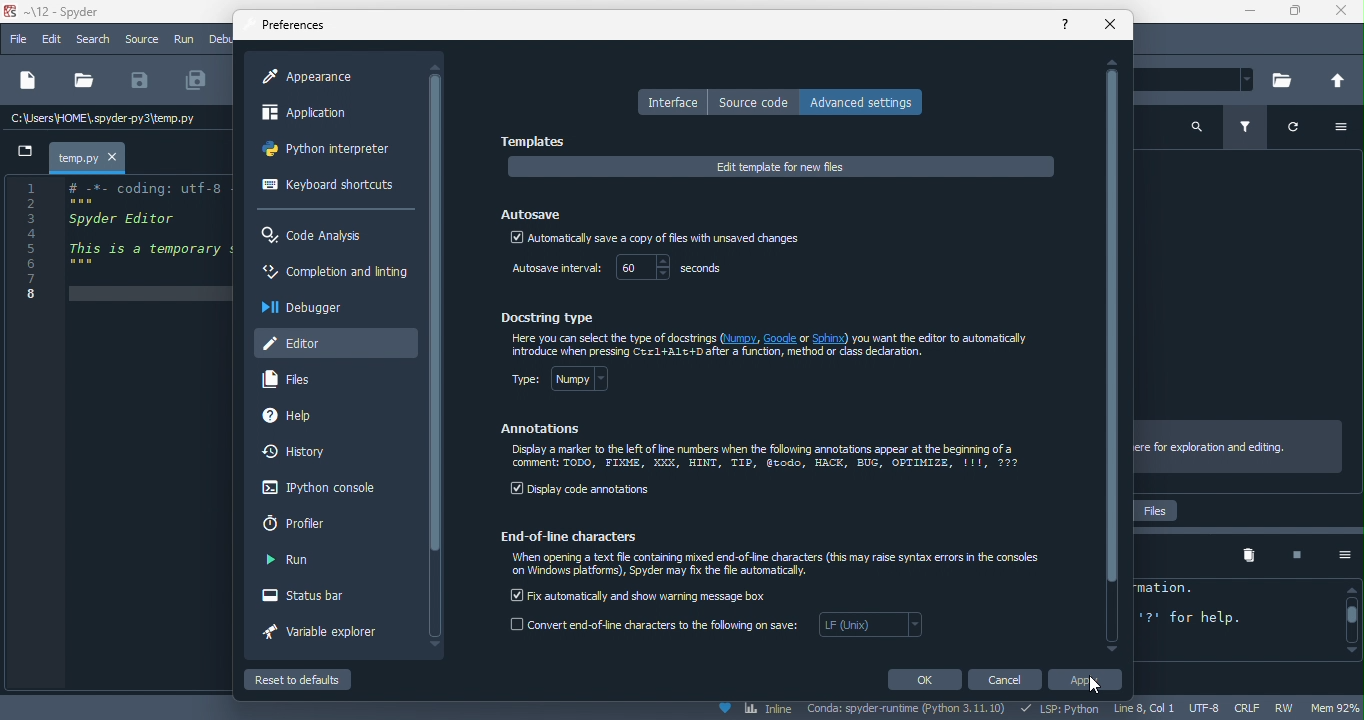 The height and width of the screenshot is (720, 1364). What do you see at coordinates (18, 40) in the screenshot?
I see `file` at bounding box center [18, 40].